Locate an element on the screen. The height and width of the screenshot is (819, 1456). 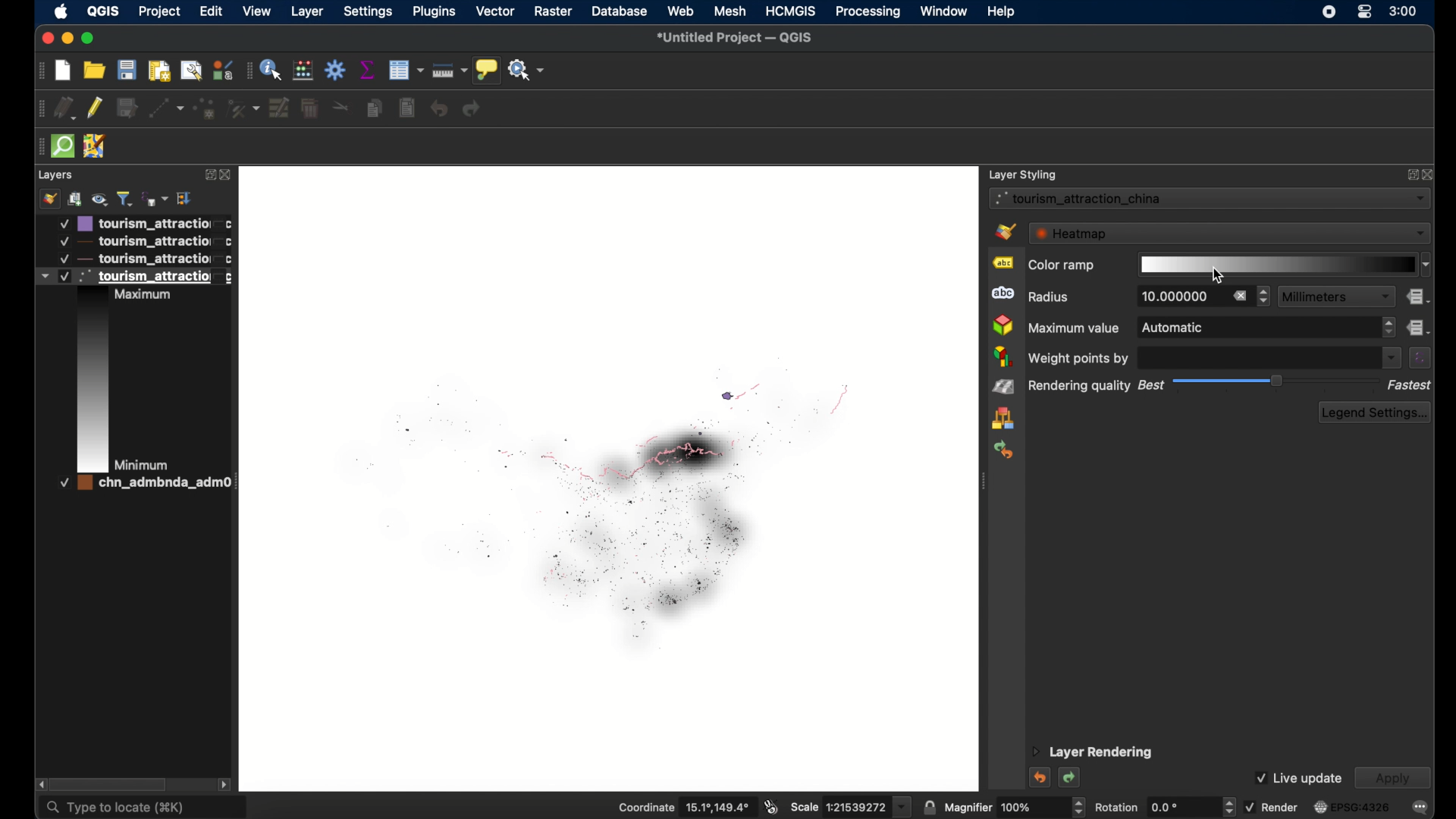
josh remote is located at coordinates (96, 146).